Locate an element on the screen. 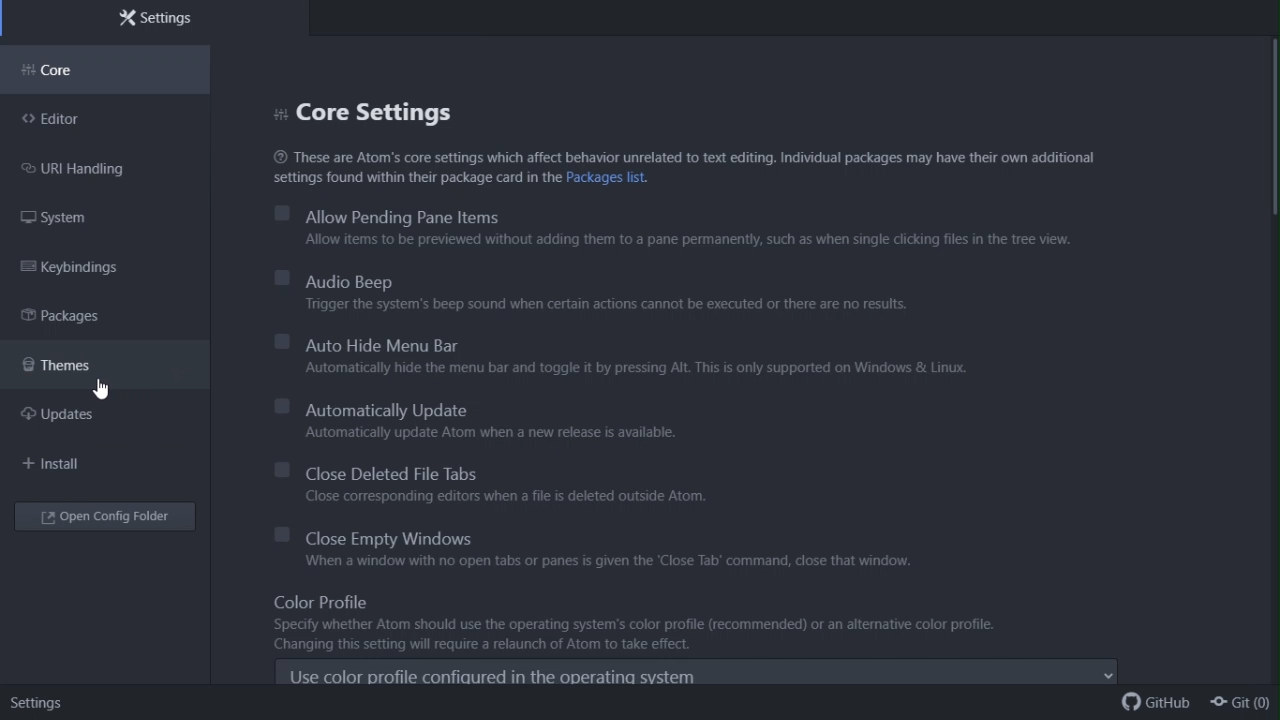 This screenshot has width=1280, height=720. Core settings is located at coordinates (368, 113).